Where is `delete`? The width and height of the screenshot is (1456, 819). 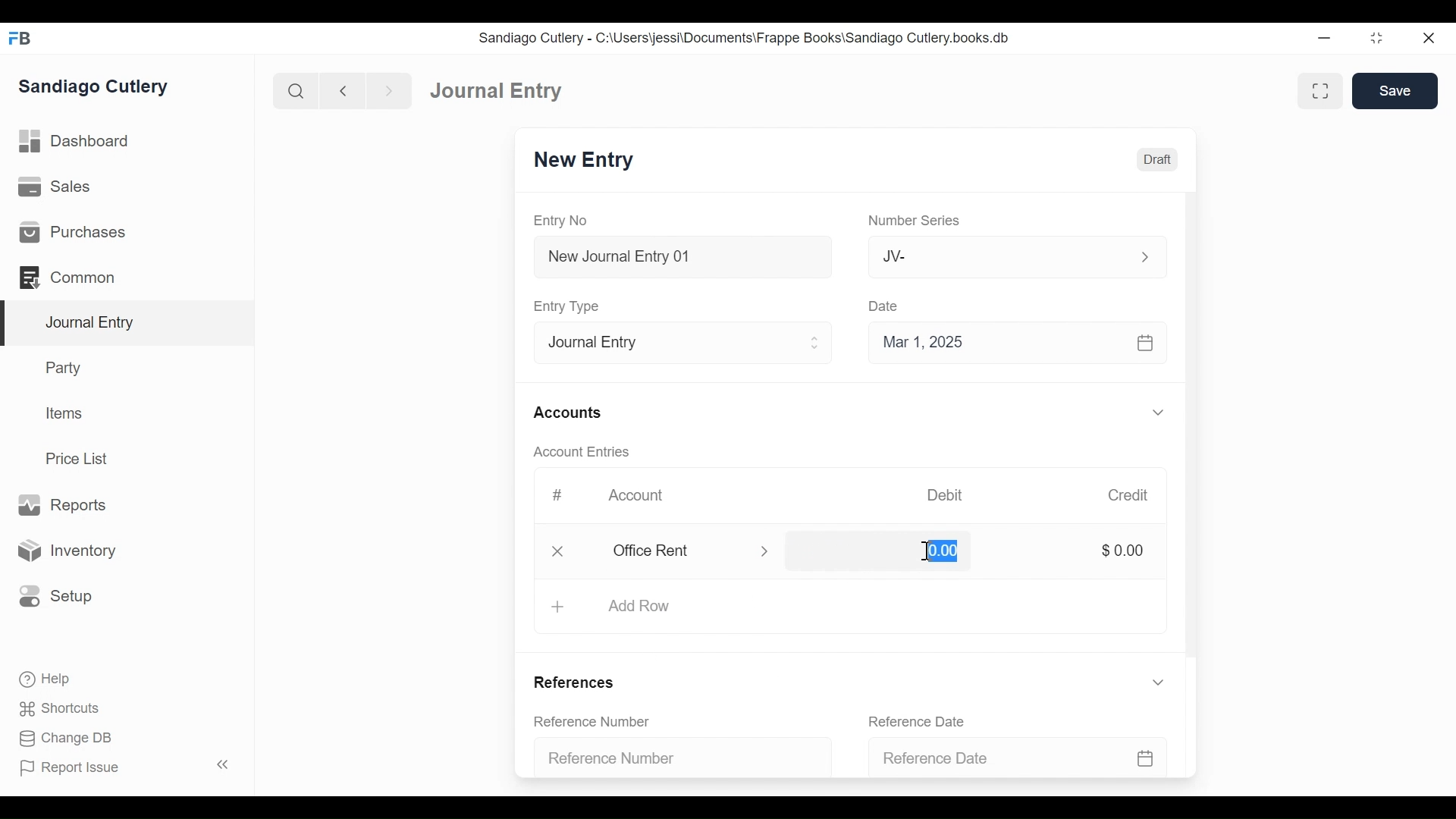 delete is located at coordinates (554, 551).